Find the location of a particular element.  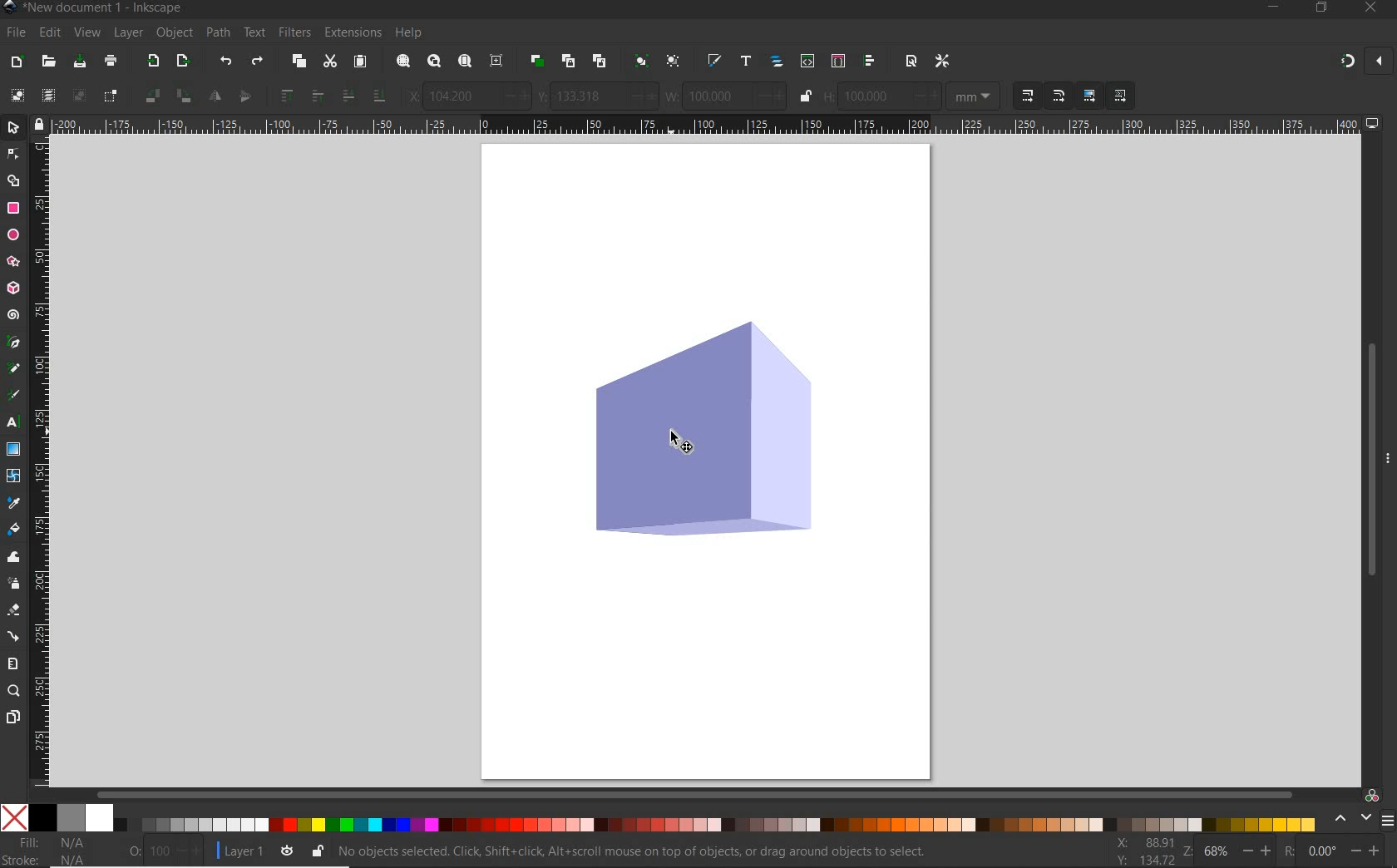

PEN TOOL is located at coordinates (12, 344).